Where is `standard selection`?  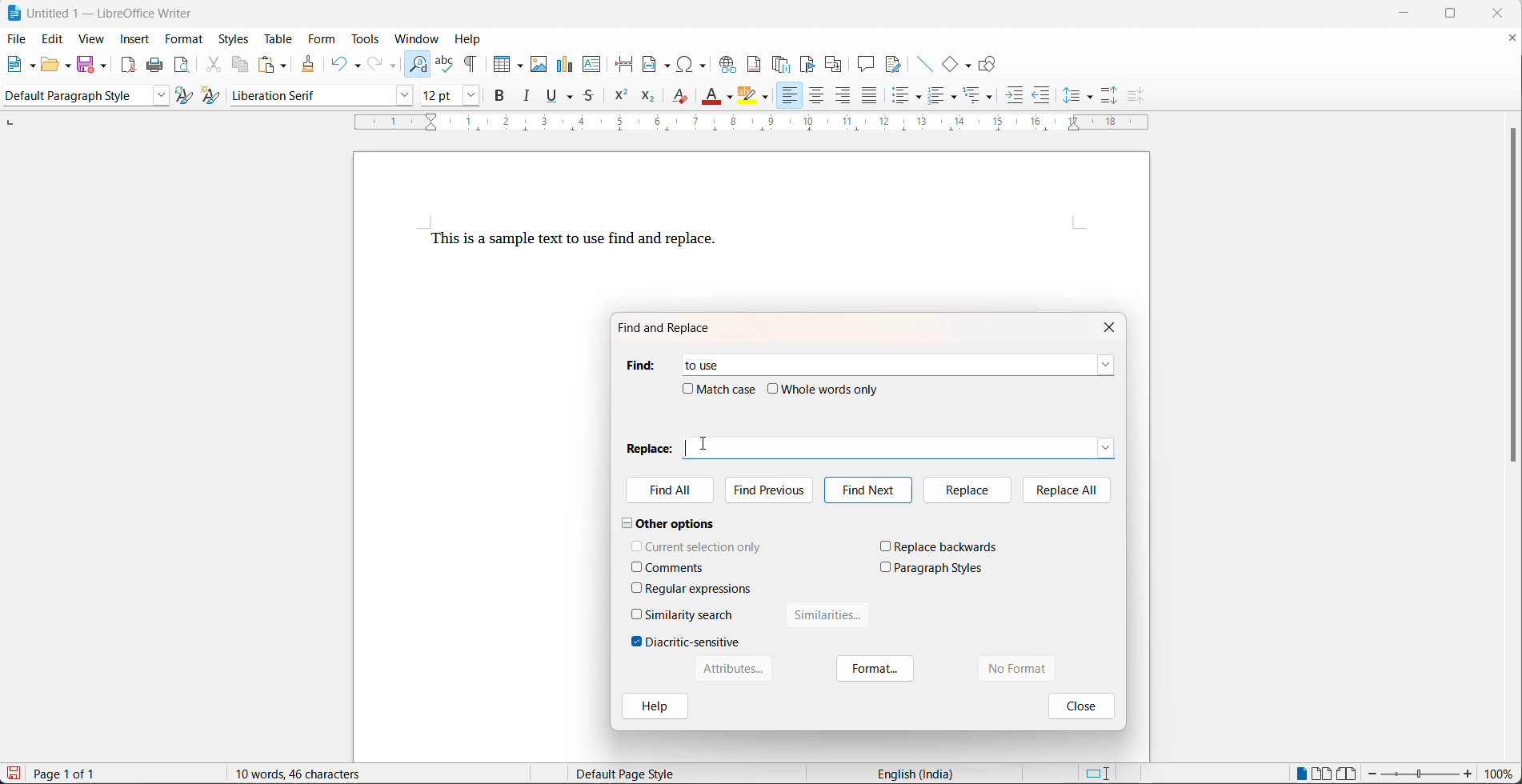
standard selection is located at coordinates (1097, 773).